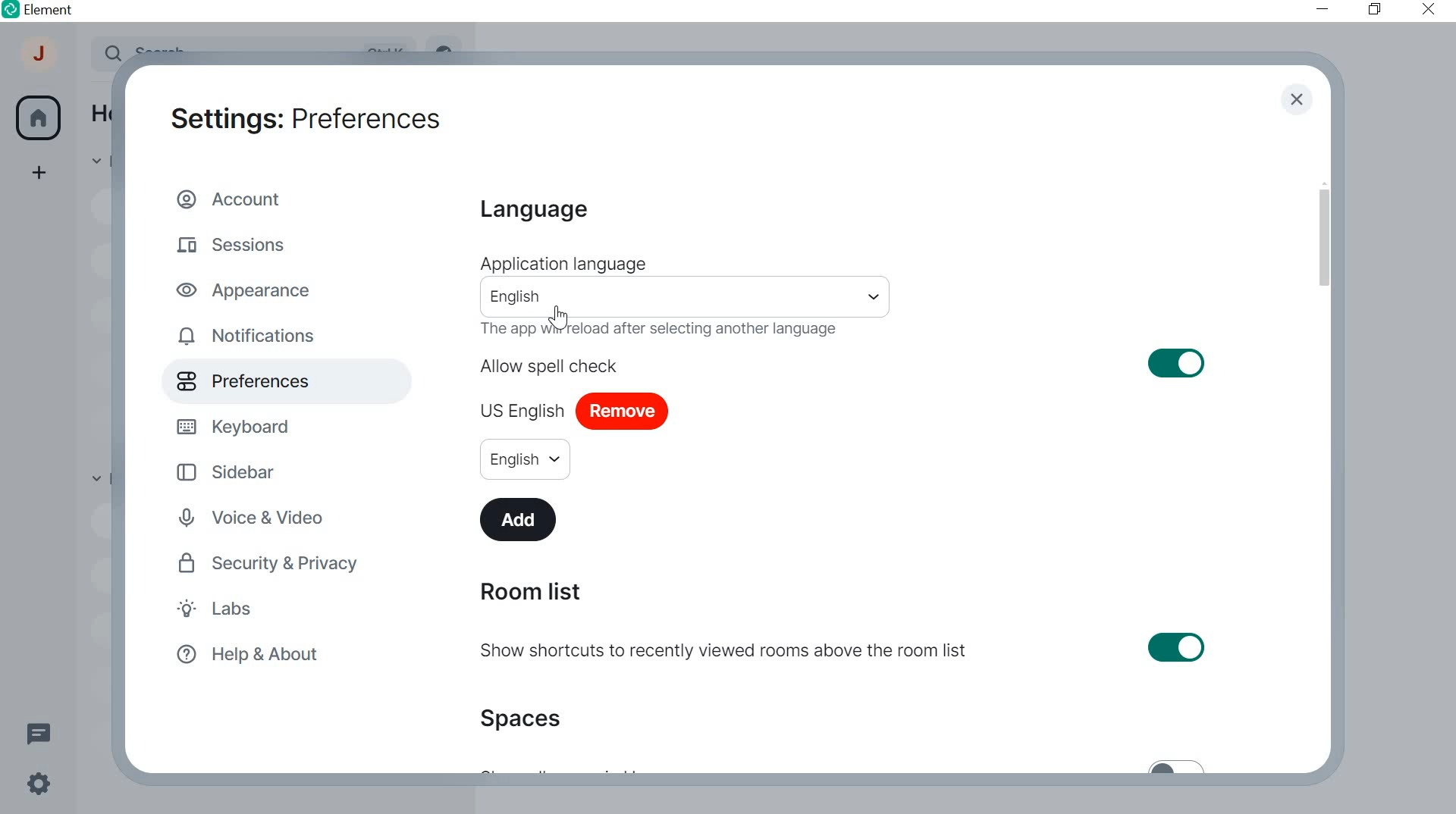 The image size is (1456, 814). What do you see at coordinates (522, 407) in the screenshot?
I see `US English` at bounding box center [522, 407].